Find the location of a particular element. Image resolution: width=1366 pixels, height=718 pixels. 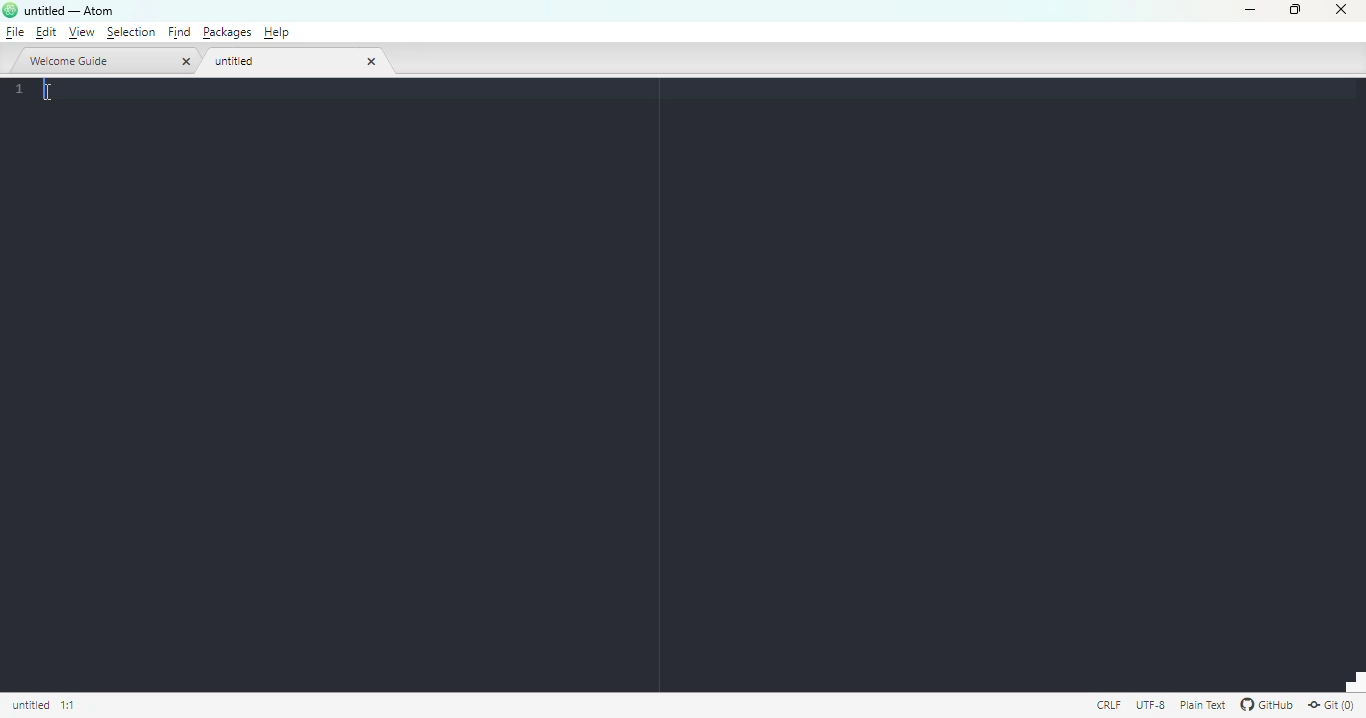

line 1, column 1 is located at coordinates (70, 705).